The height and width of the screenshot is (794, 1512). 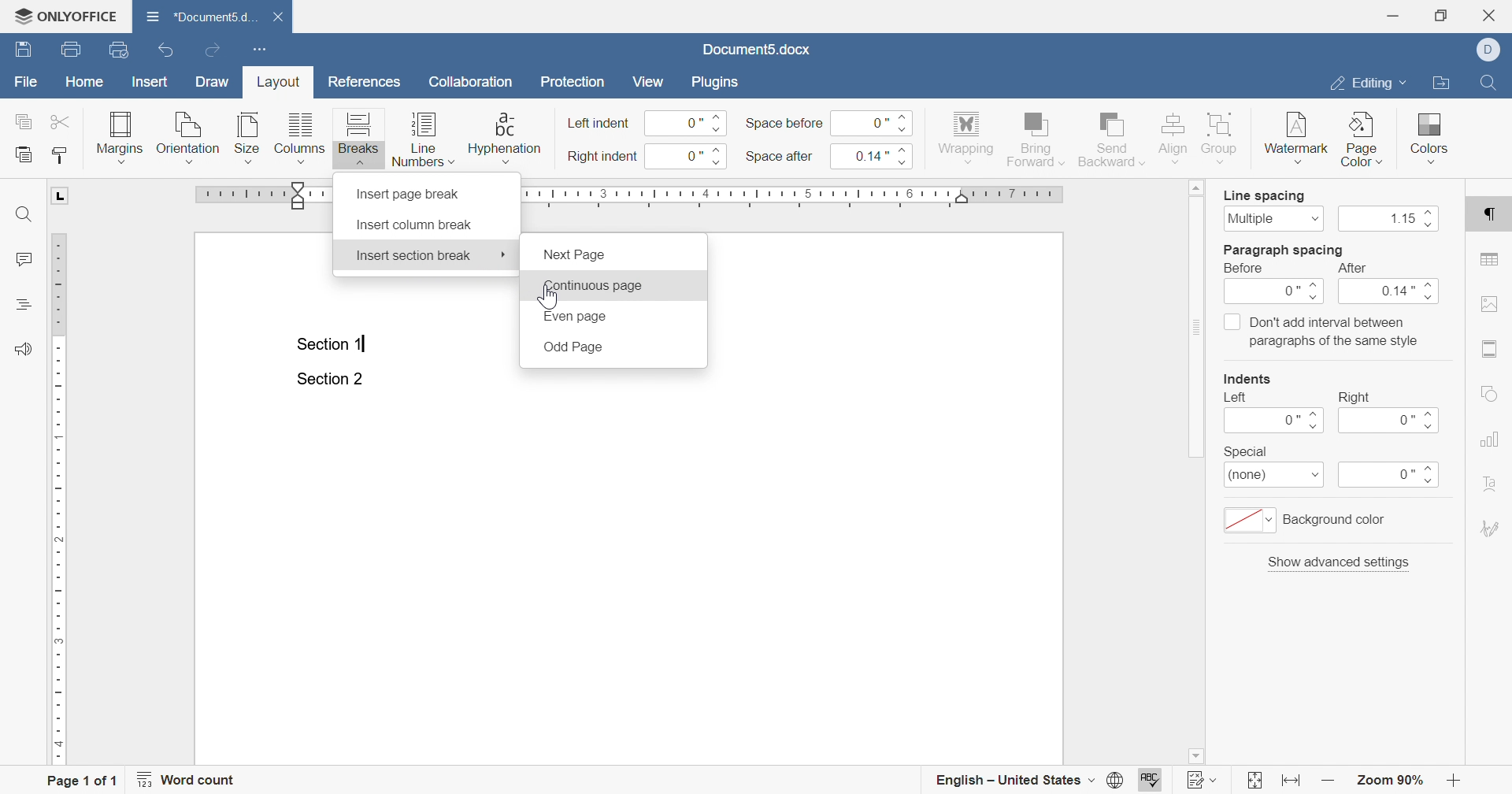 I want to click on zoom in, so click(x=1329, y=781).